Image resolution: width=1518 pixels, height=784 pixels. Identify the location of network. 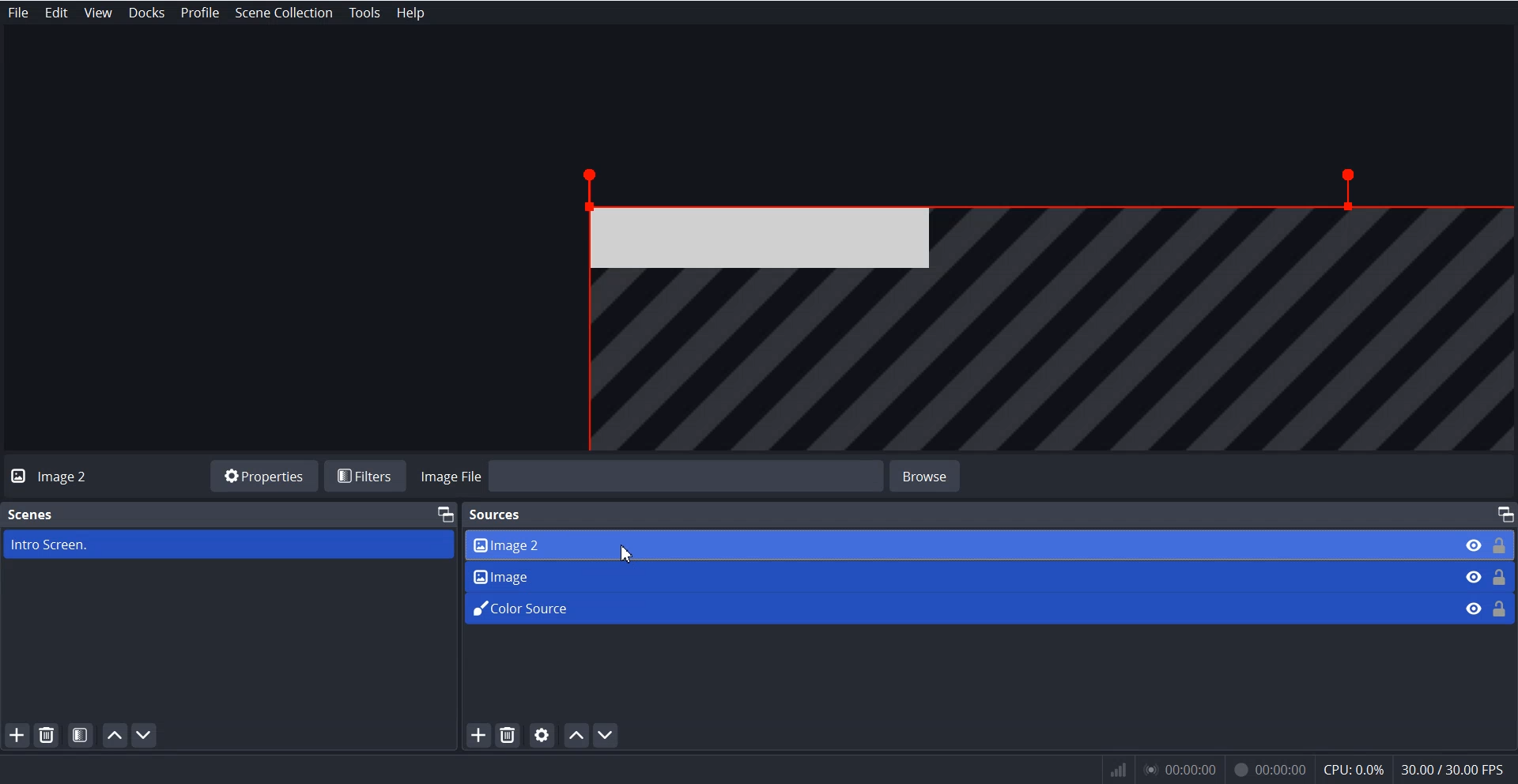
(1116, 770).